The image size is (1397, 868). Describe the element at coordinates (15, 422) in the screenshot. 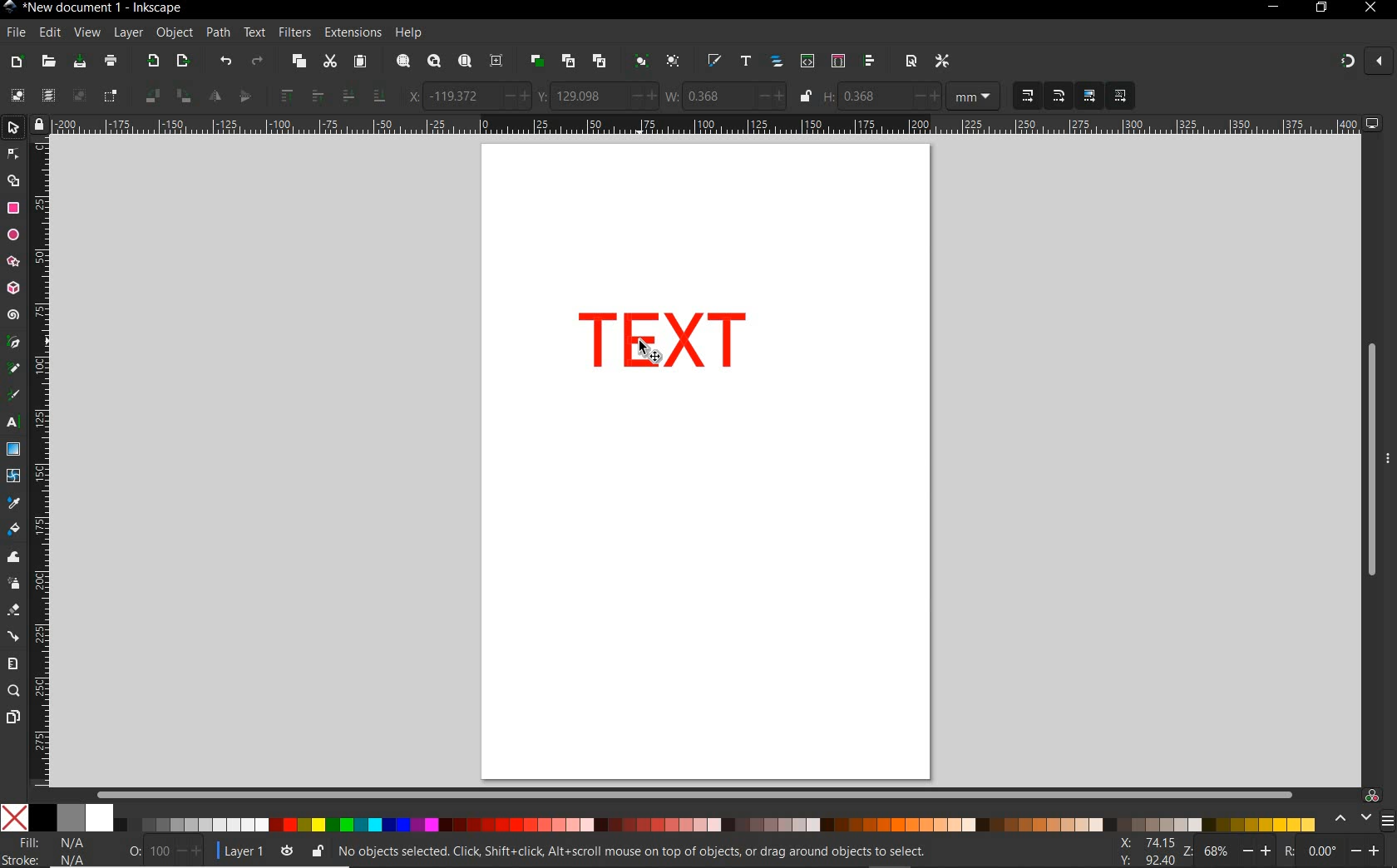

I see `TEXT TOOL` at that location.